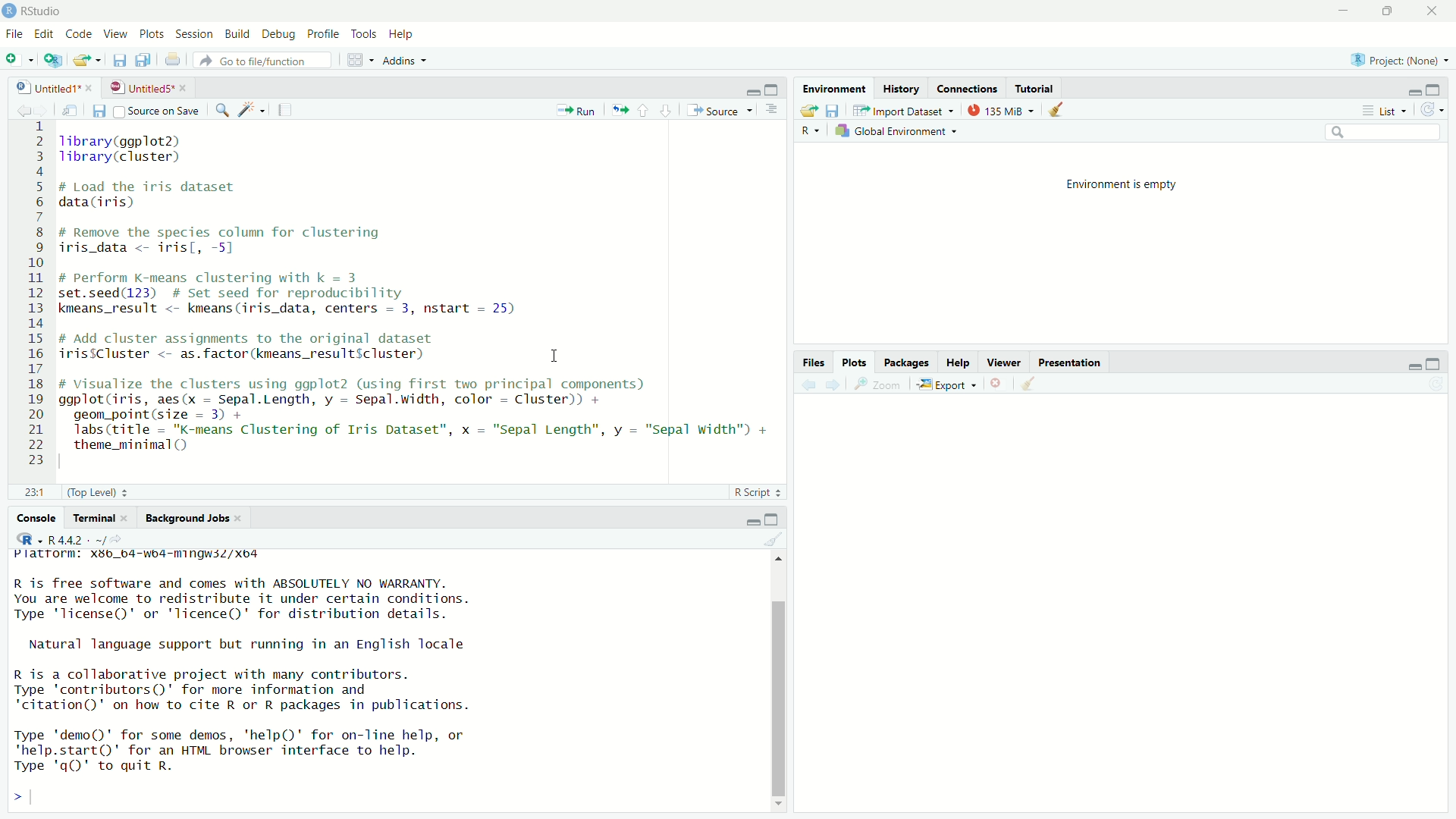 The image size is (1456, 819). I want to click on maximize, so click(774, 516).